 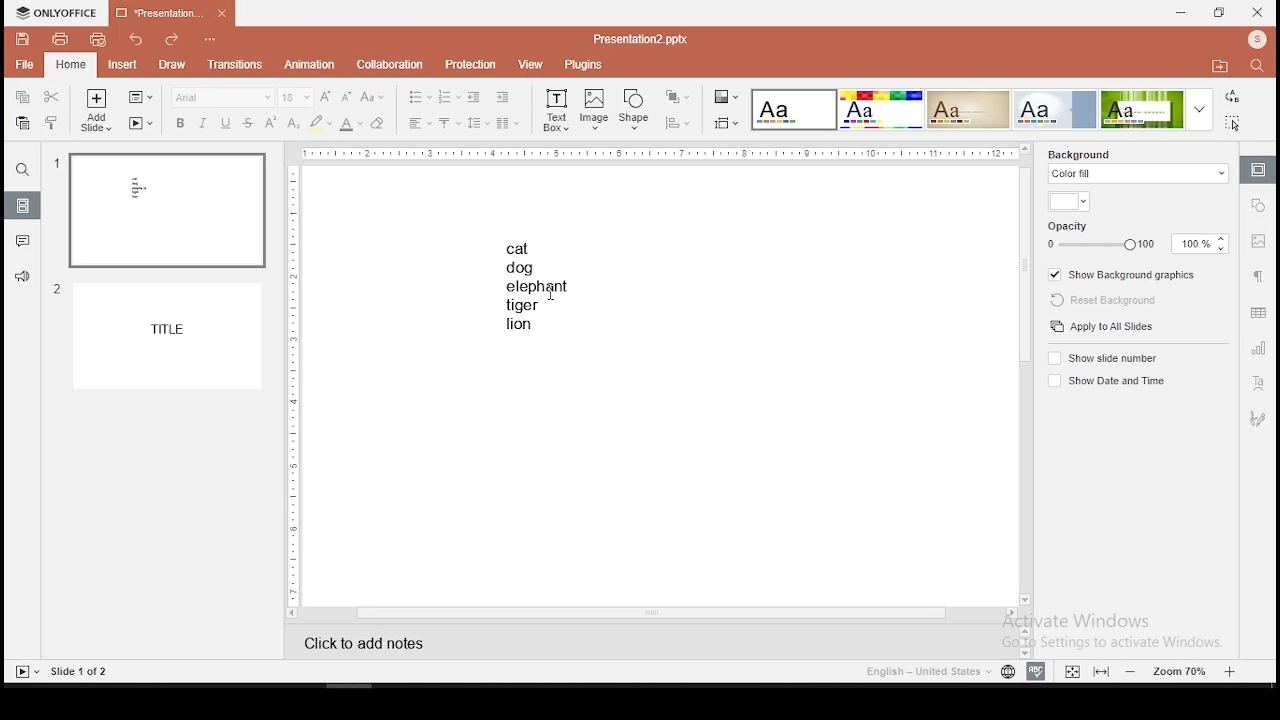 What do you see at coordinates (795, 110) in the screenshot?
I see `theme ` at bounding box center [795, 110].